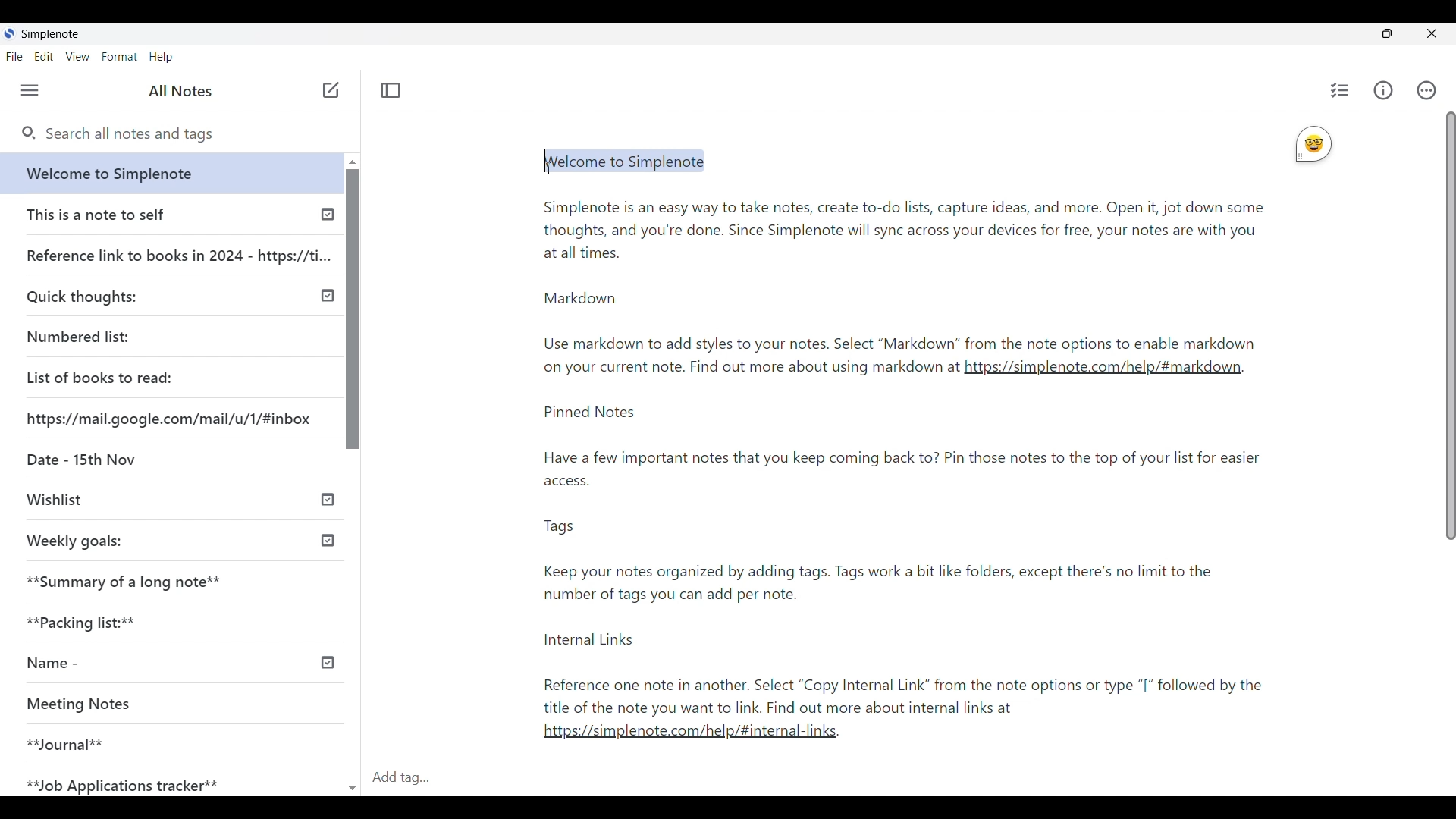  I want to click on This is a note to self, so click(96, 214).